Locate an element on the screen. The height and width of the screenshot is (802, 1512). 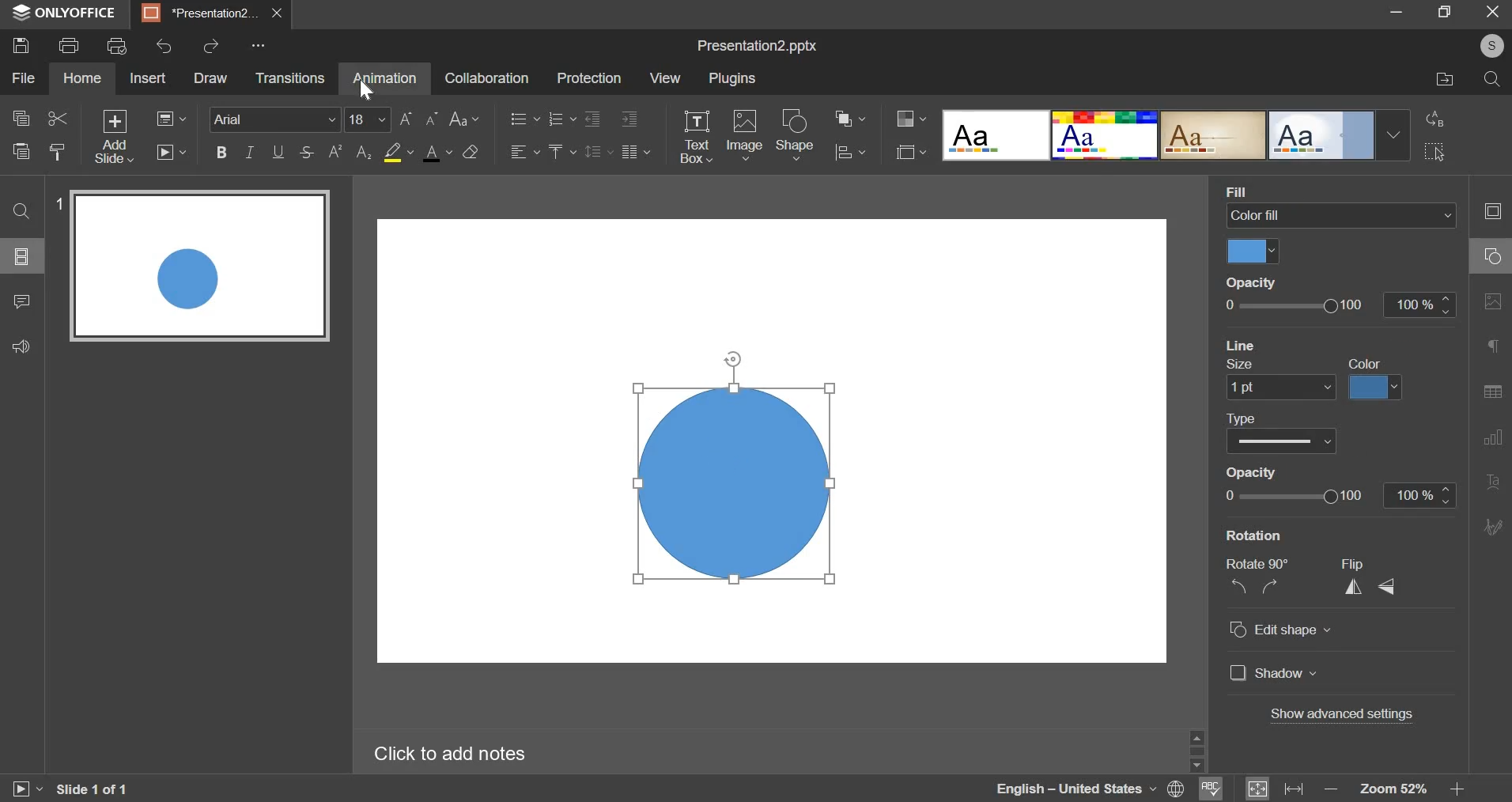
minimize is located at coordinates (1393, 13).